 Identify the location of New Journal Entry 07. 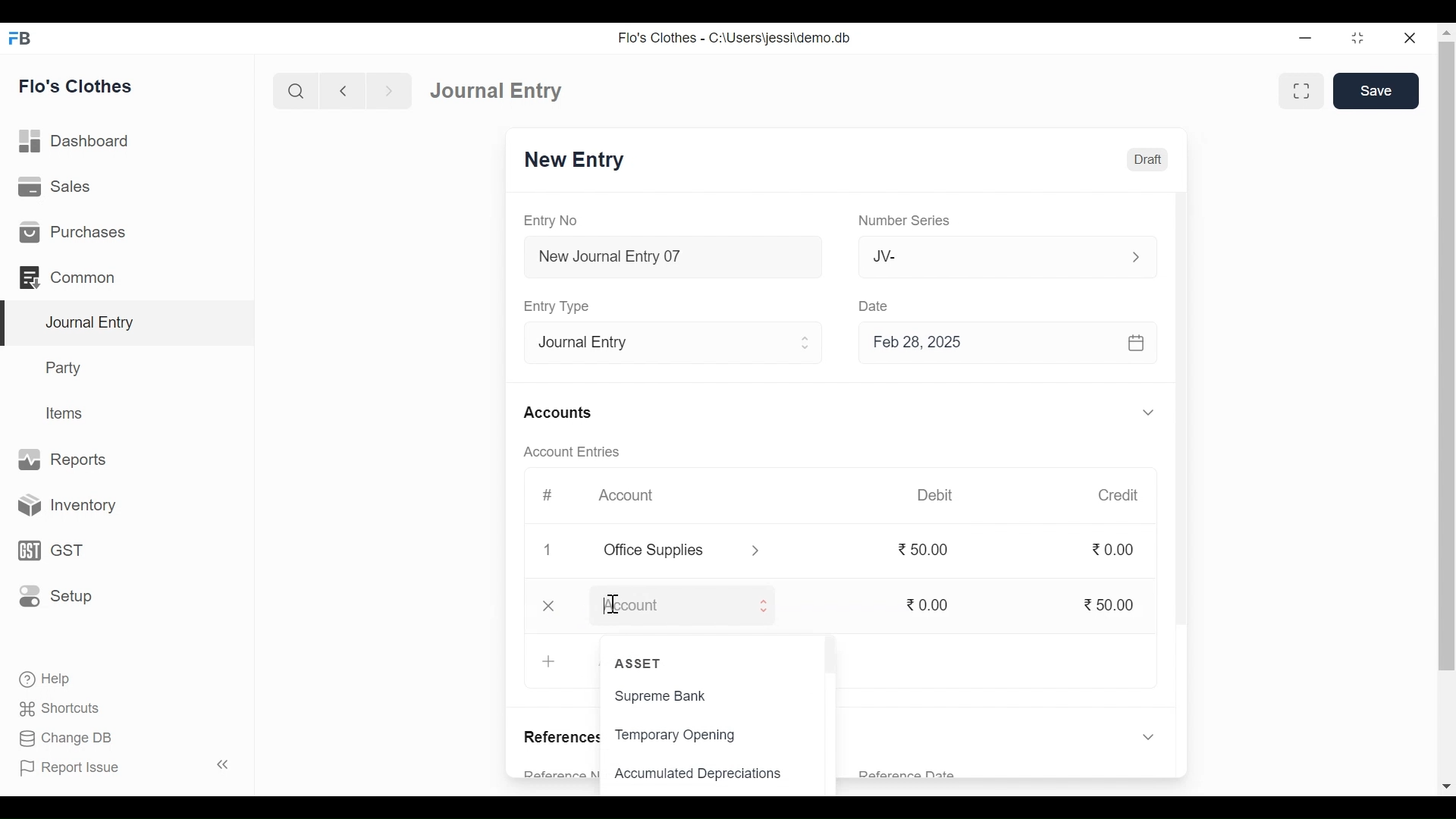
(670, 257).